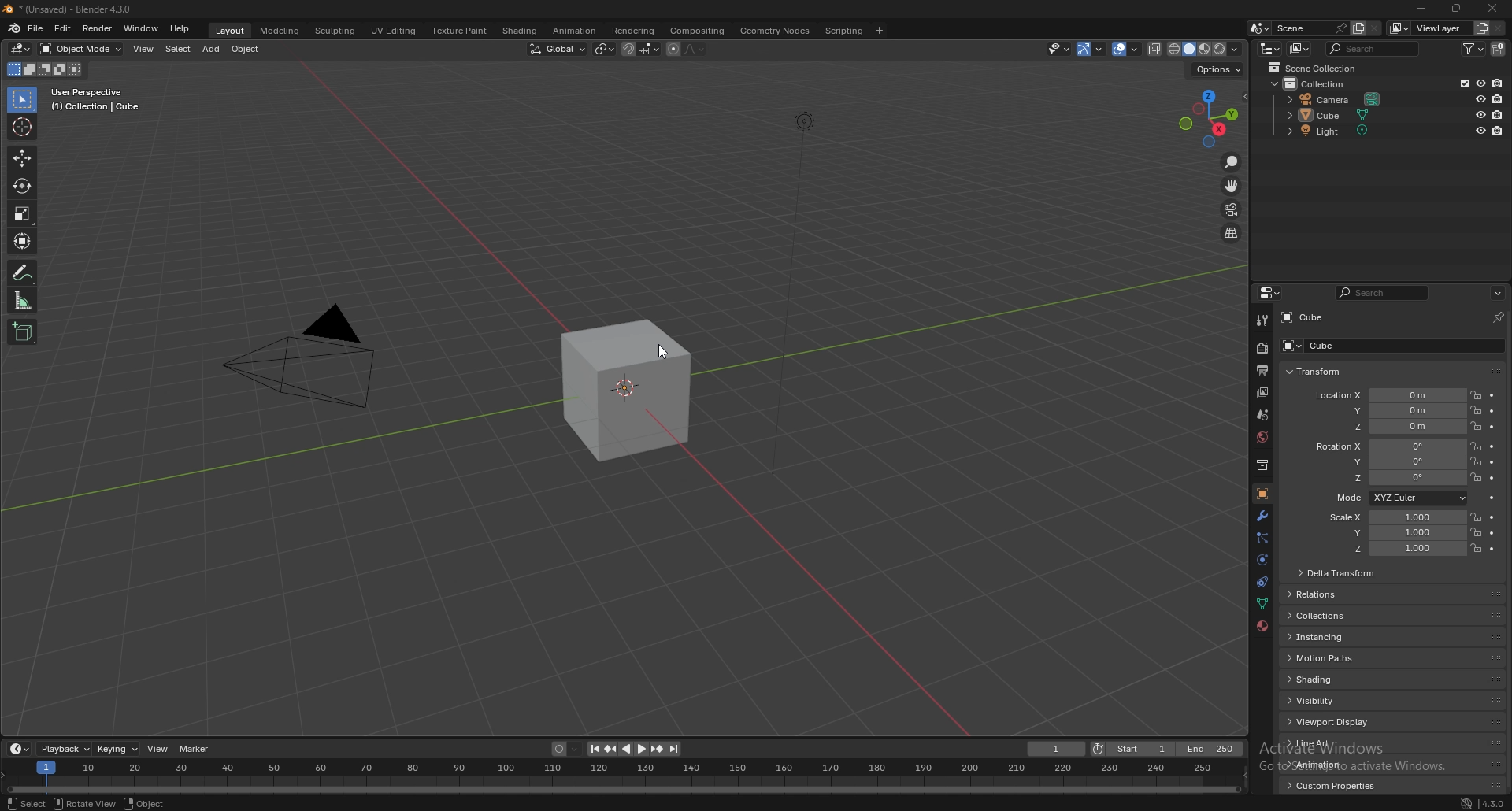  I want to click on tool, so click(1262, 320).